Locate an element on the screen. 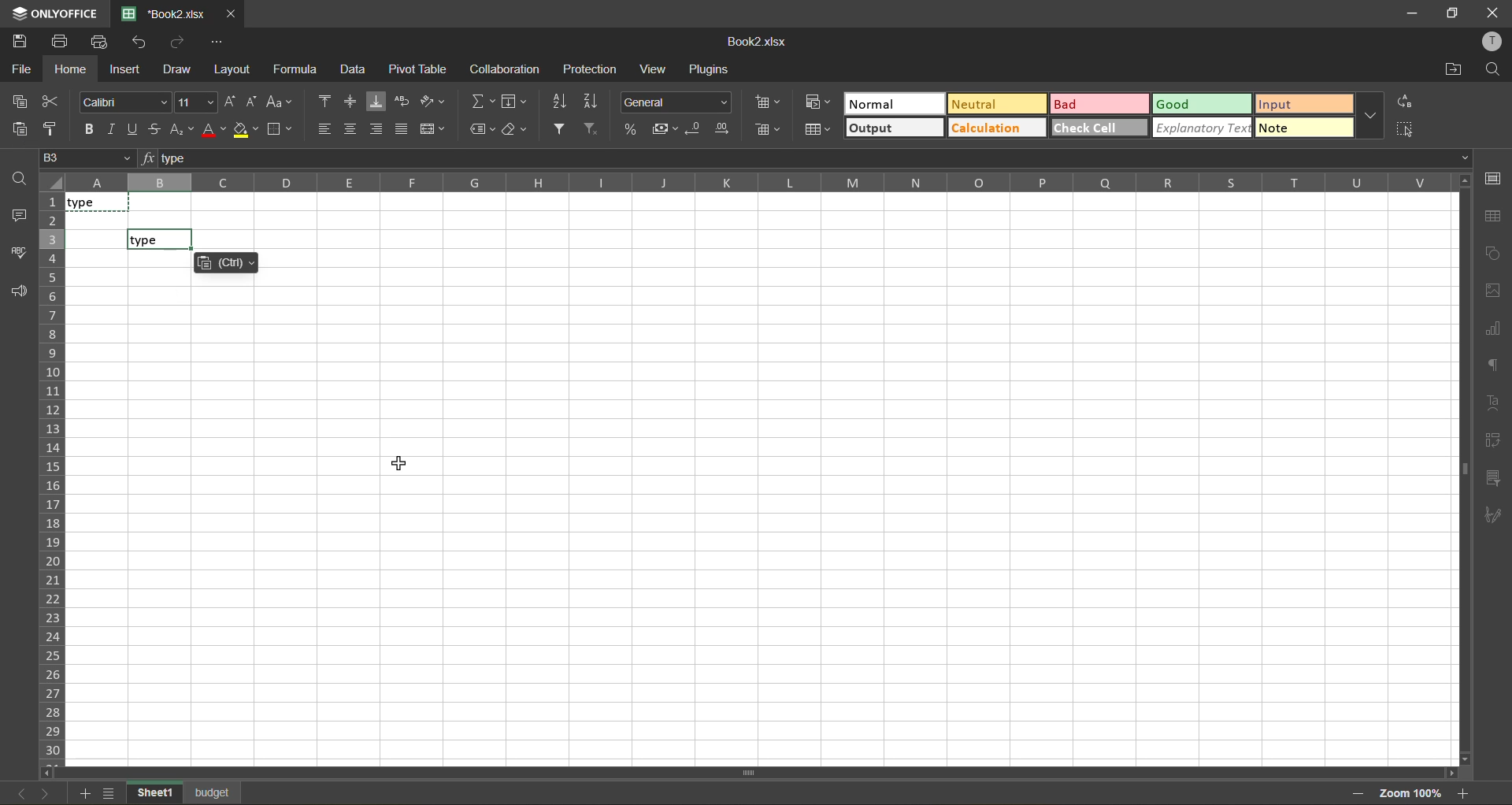  strikethrough is located at coordinates (160, 130).